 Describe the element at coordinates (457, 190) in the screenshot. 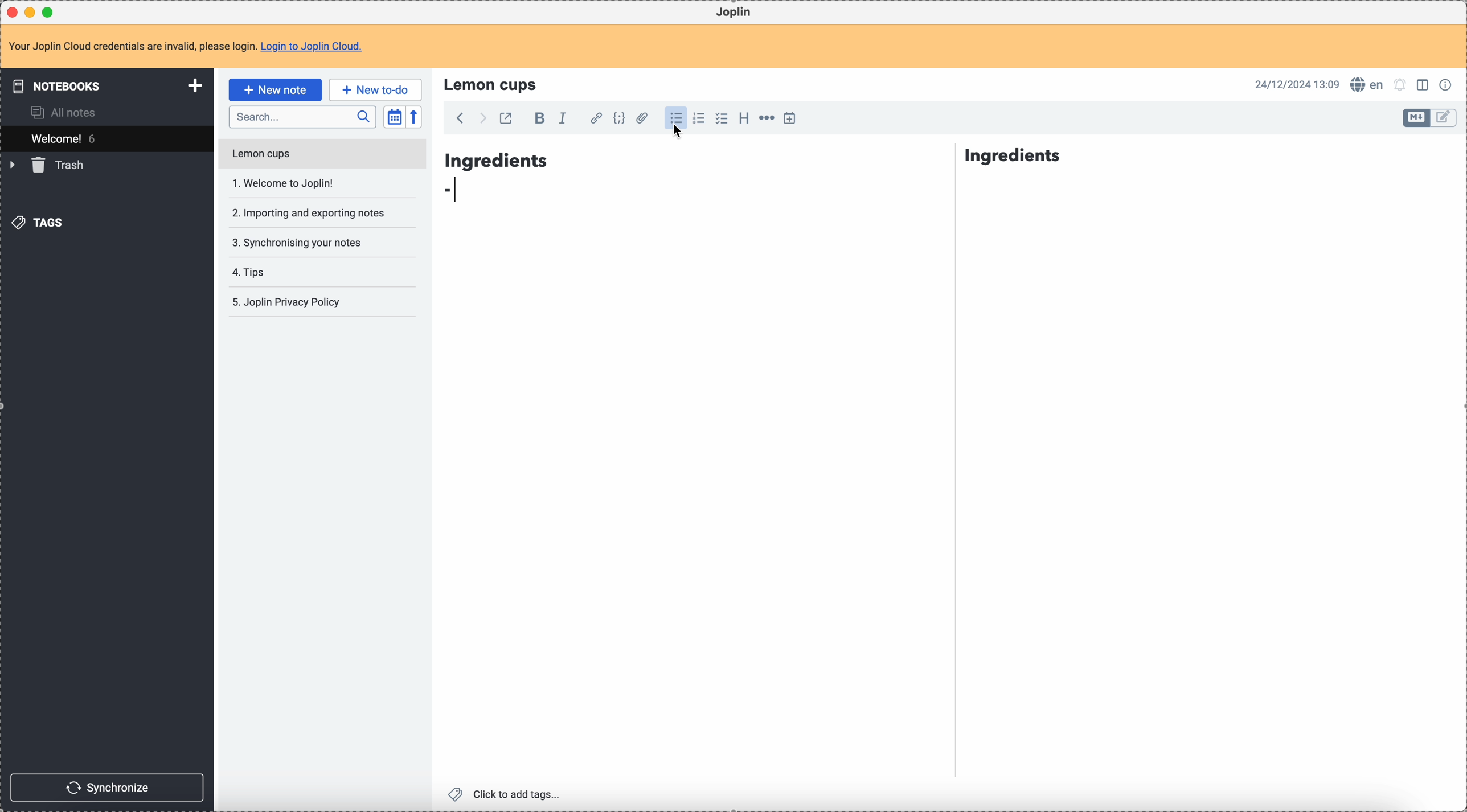

I see `bullet point` at that location.